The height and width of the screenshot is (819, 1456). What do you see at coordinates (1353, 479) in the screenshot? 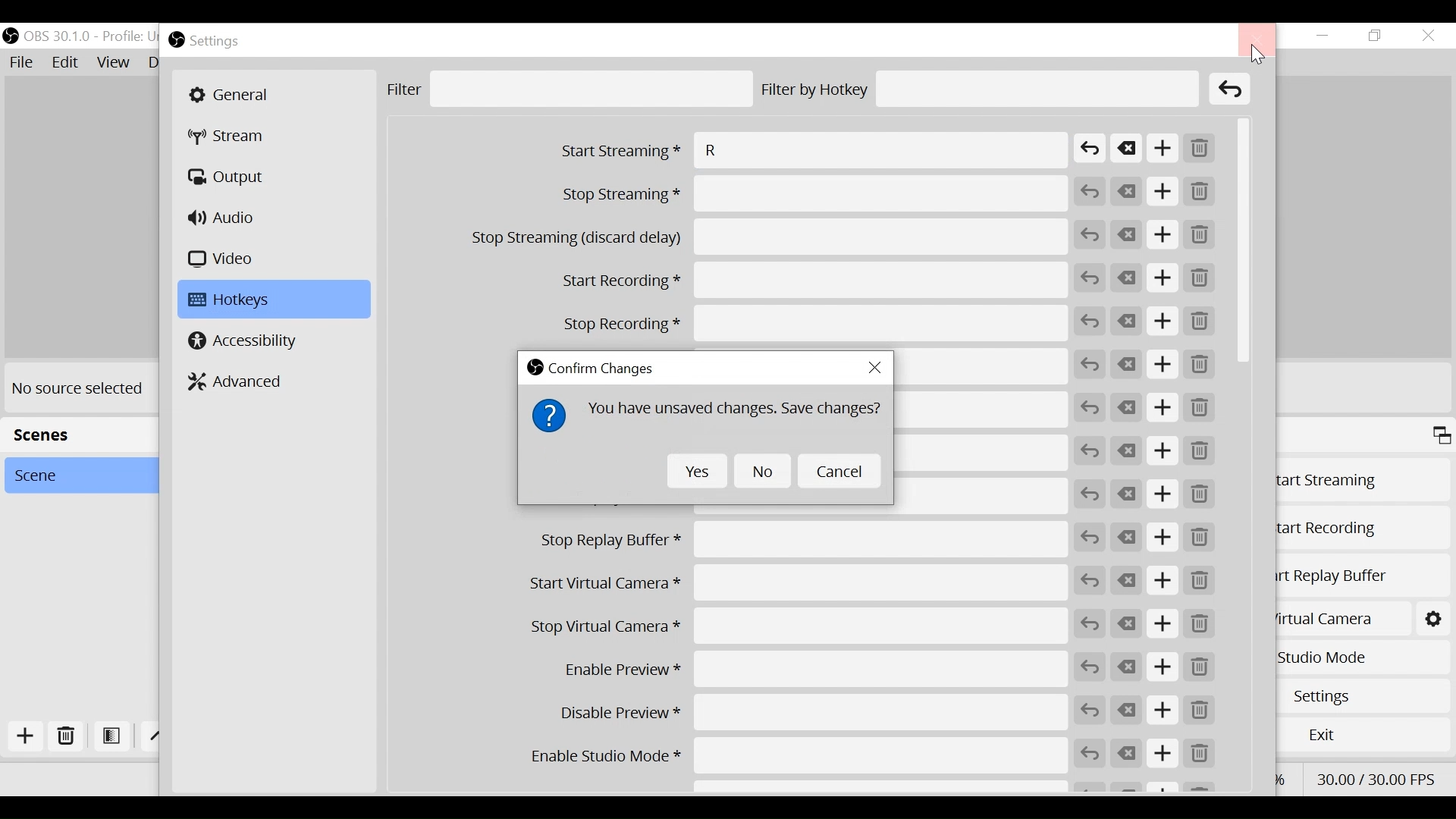
I see `Start Streaming` at bounding box center [1353, 479].